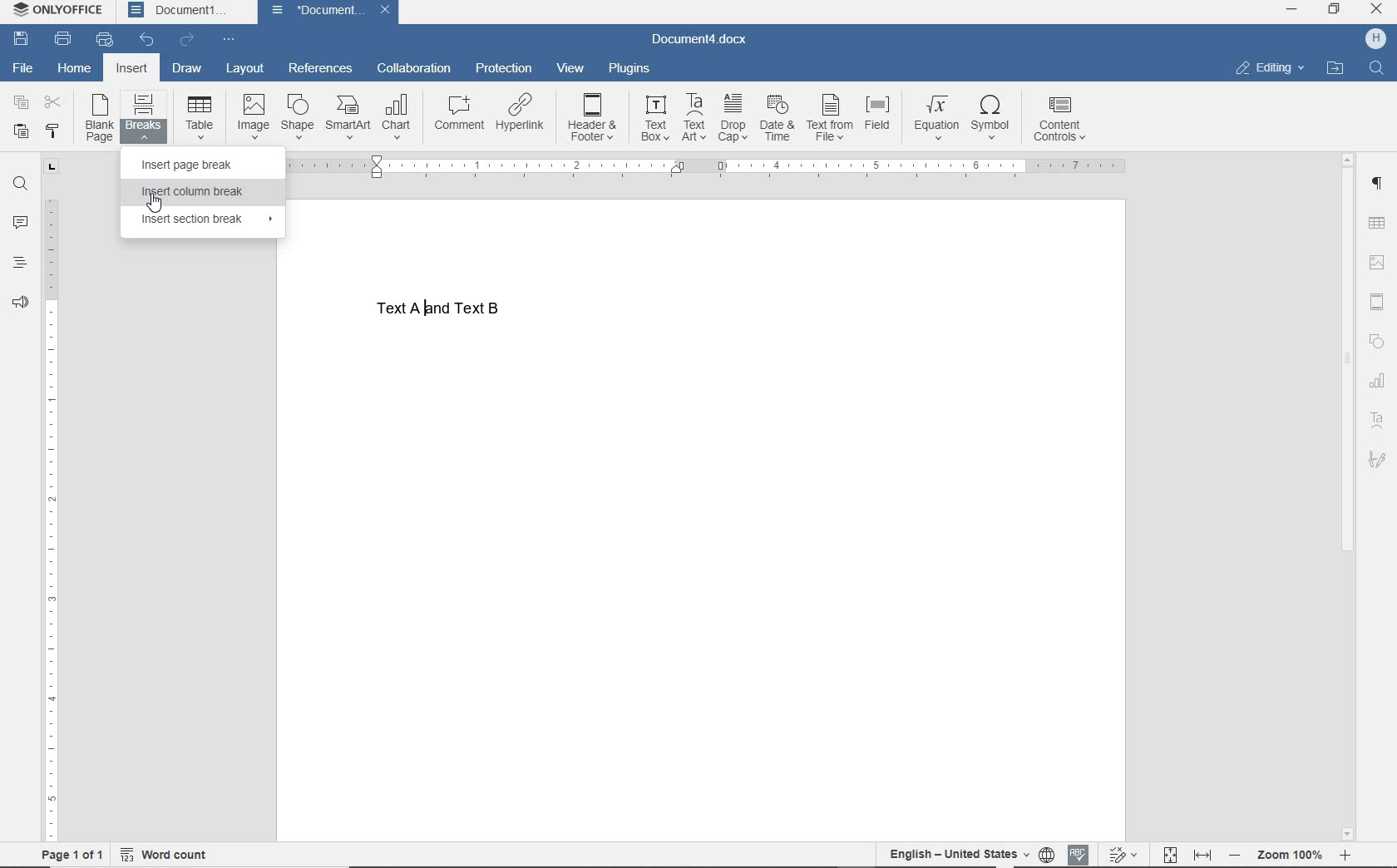 The width and height of the screenshot is (1397, 868). What do you see at coordinates (299, 117) in the screenshot?
I see `SHAPE` at bounding box center [299, 117].